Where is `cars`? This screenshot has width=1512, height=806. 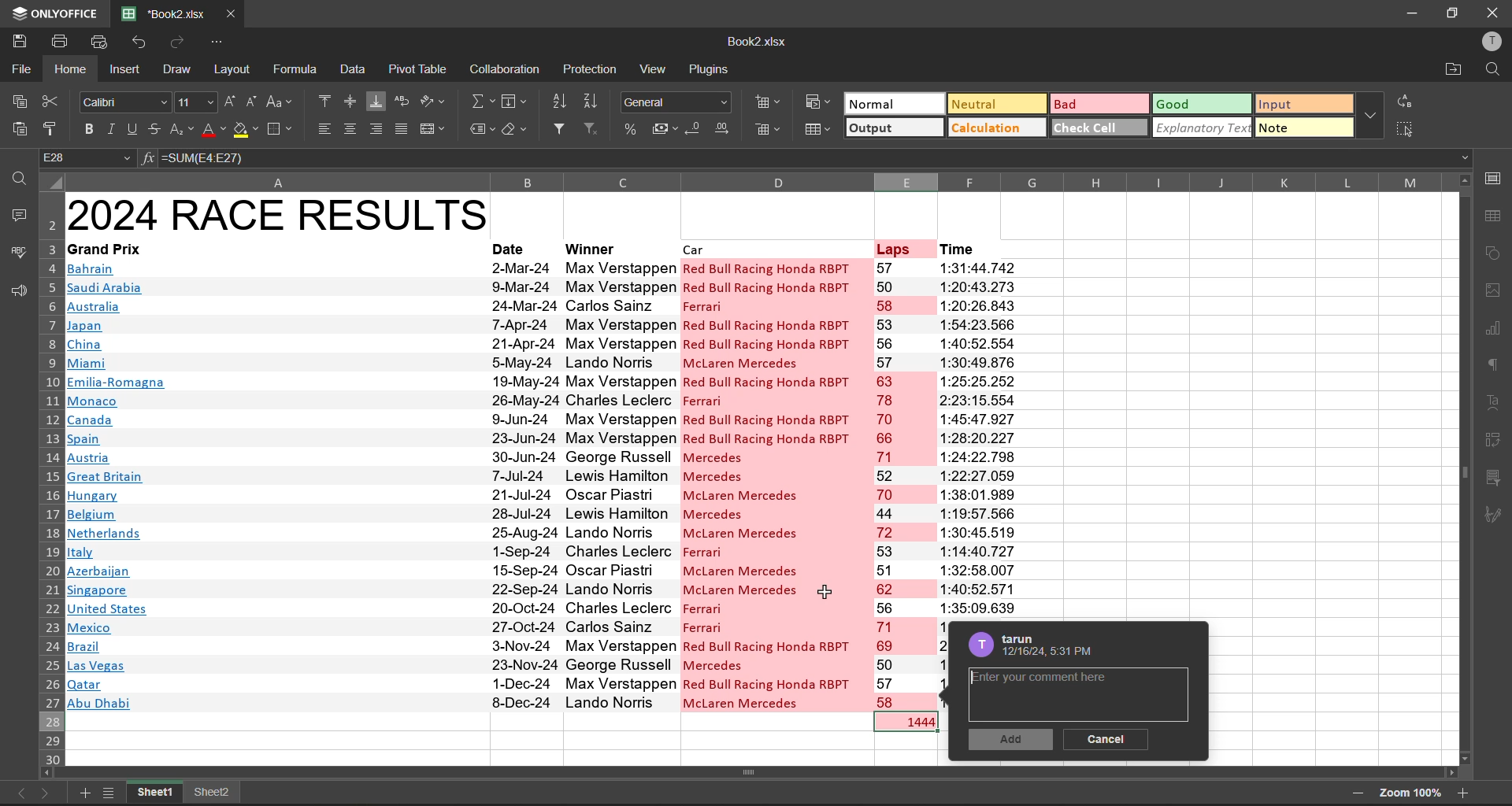
cars is located at coordinates (769, 485).